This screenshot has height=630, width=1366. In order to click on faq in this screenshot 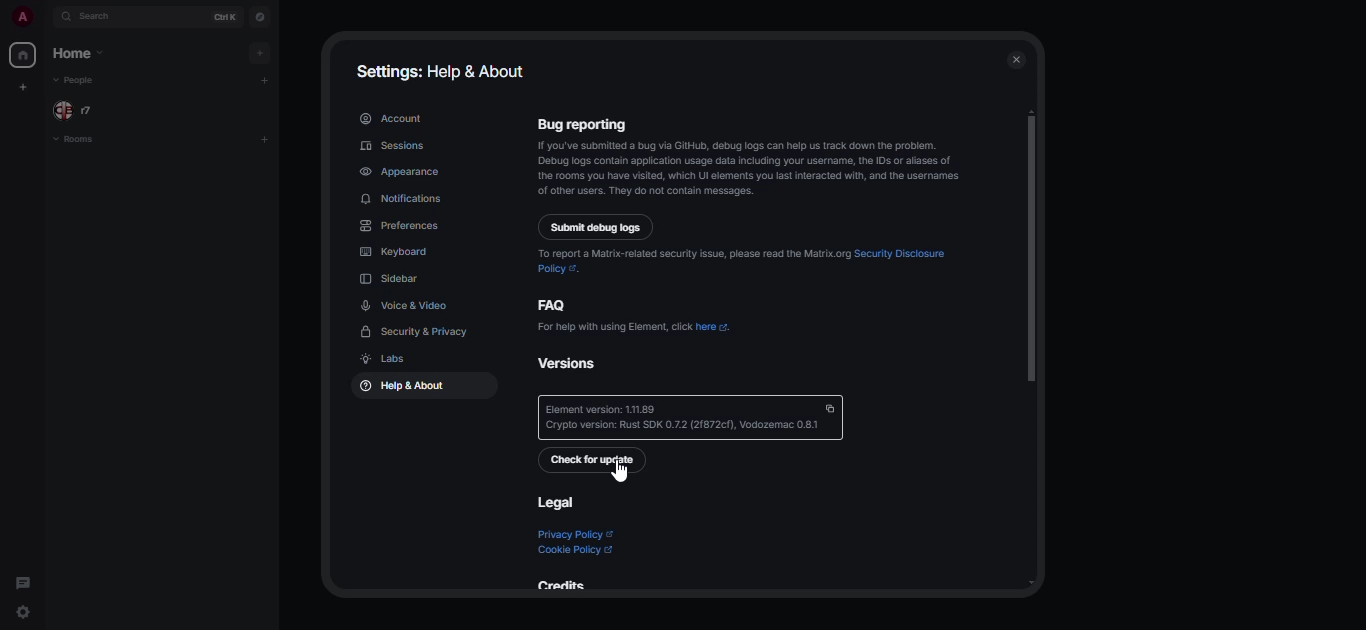, I will do `click(559, 304)`.